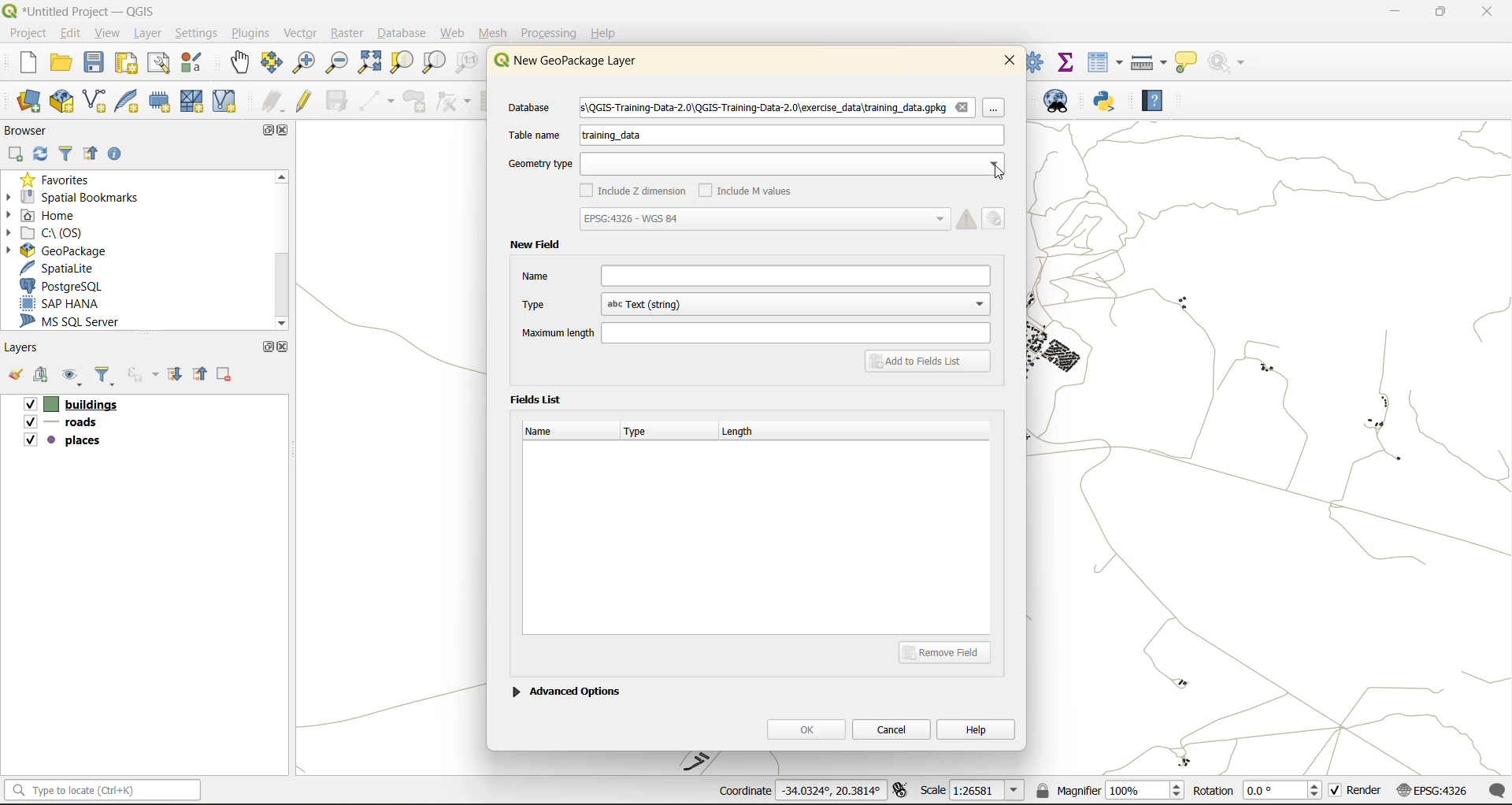  I want to click on postgresql, so click(73, 286).